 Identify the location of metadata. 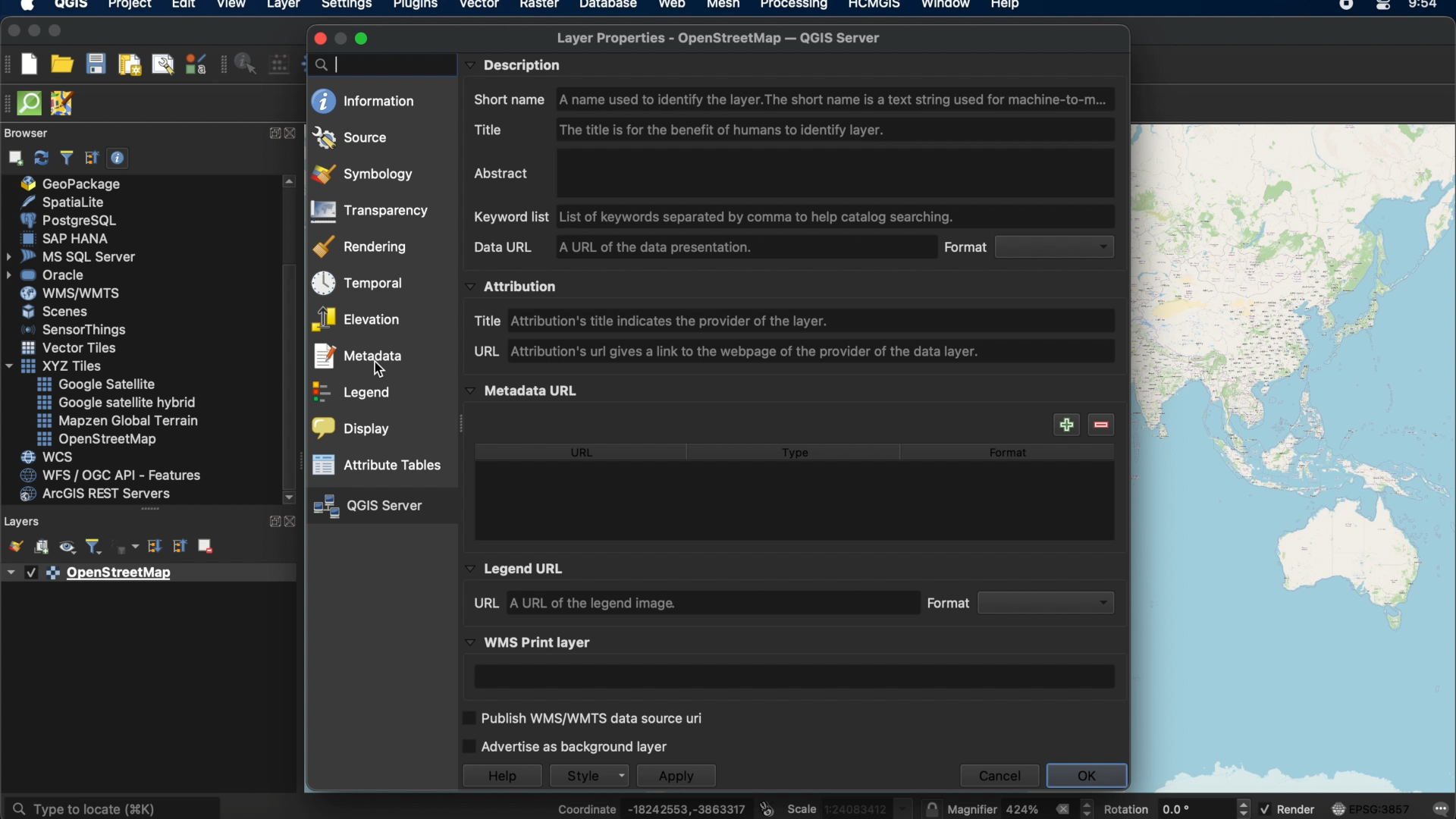
(356, 358).